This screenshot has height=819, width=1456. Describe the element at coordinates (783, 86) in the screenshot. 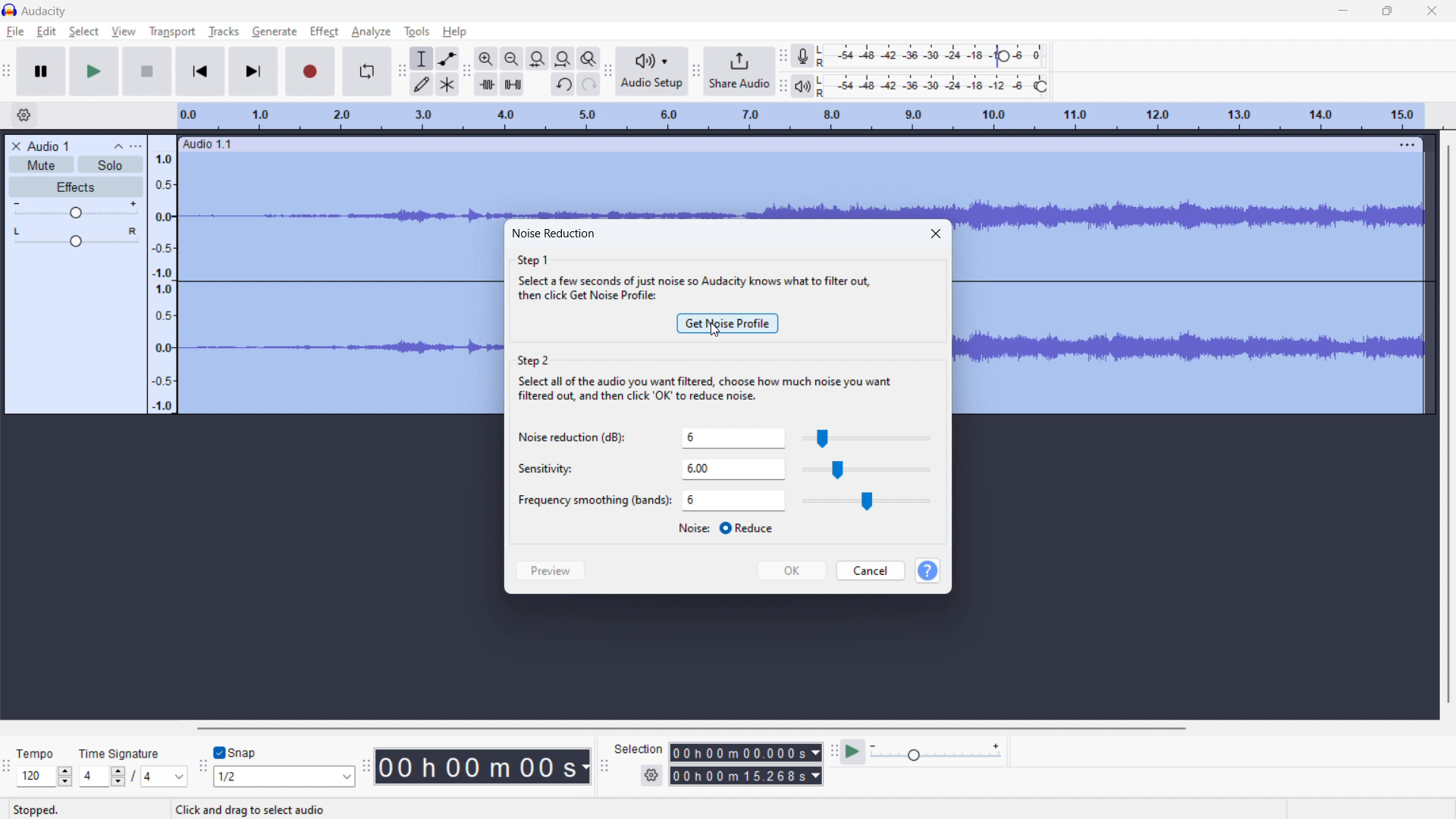

I see `playback meter toolbar` at that location.